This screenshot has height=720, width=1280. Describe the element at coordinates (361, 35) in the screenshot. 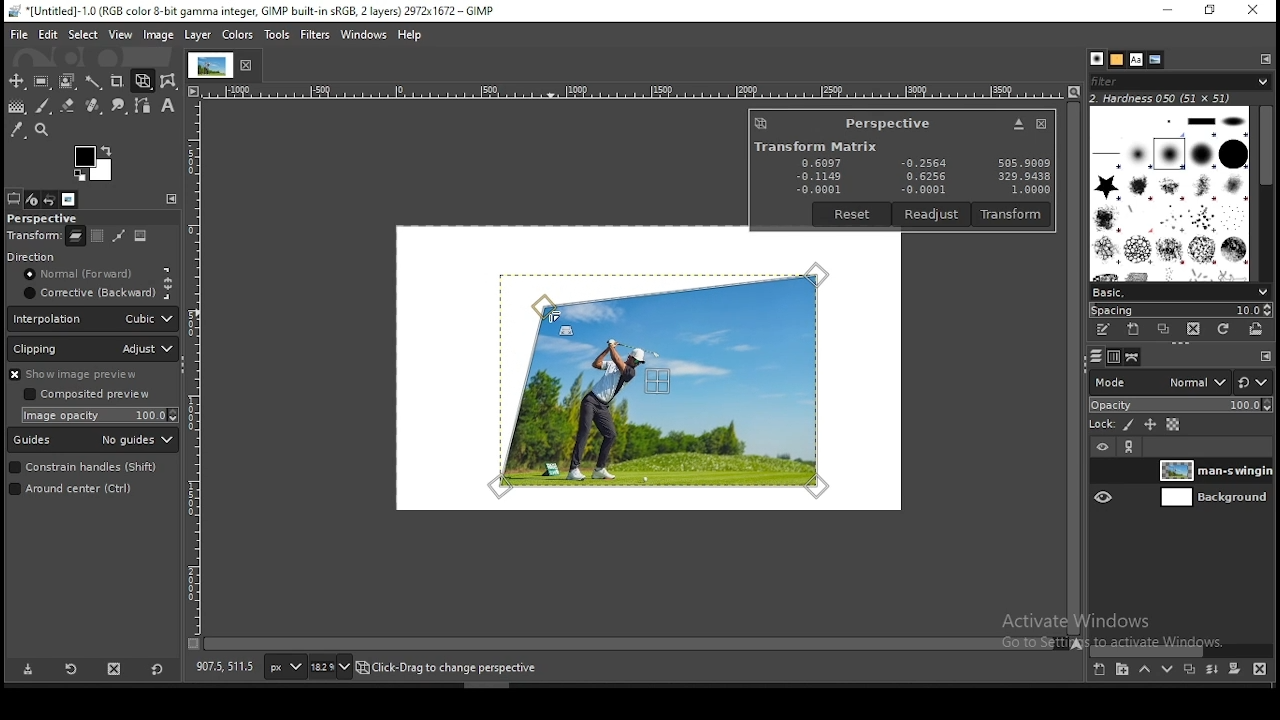

I see `windows` at that location.